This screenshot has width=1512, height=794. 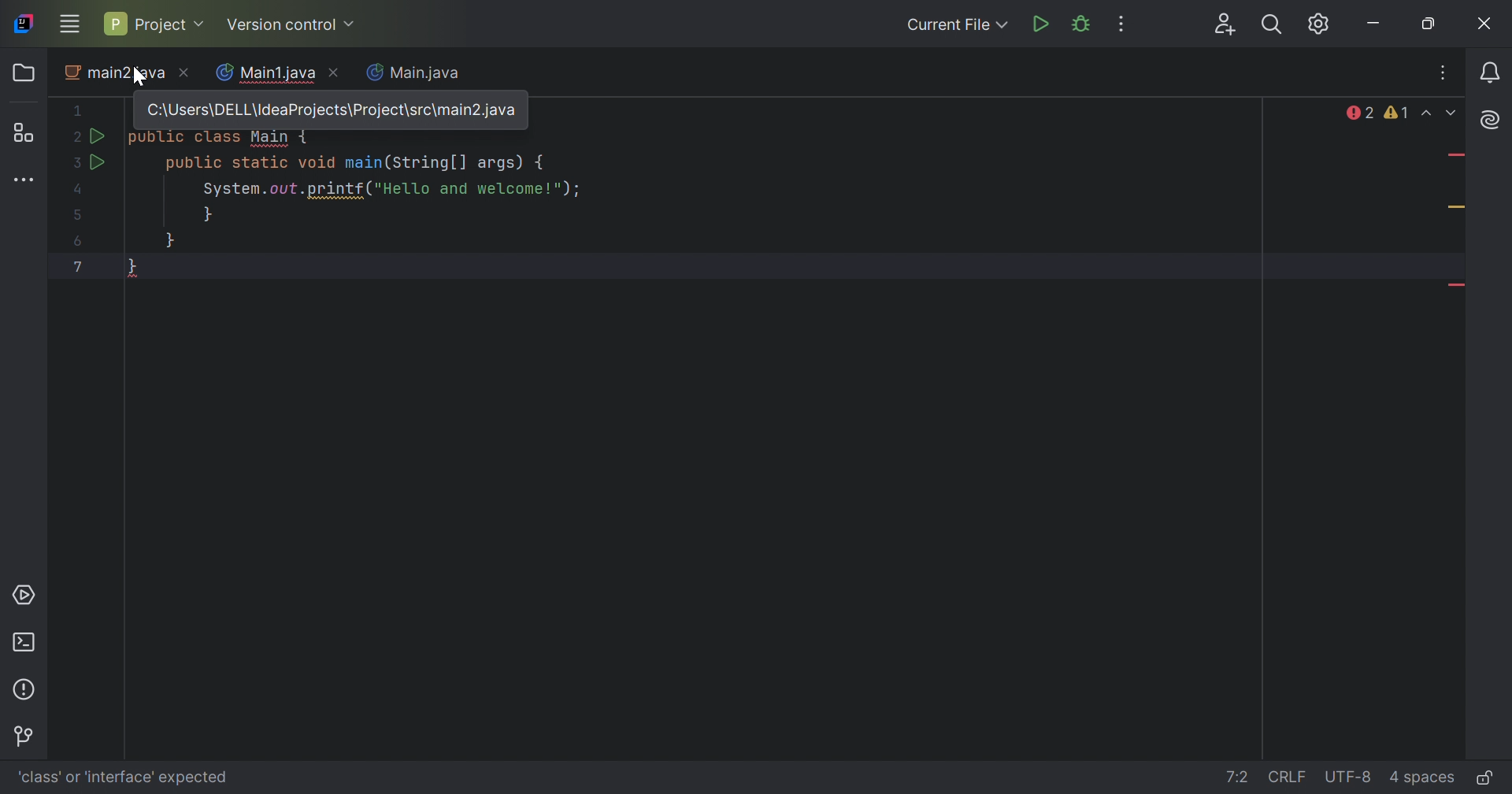 What do you see at coordinates (332, 111) in the screenshot?
I see `c:\Users\DELL\IdeaProjects\Project\src\main2.java` at bounding box center [332, 111].